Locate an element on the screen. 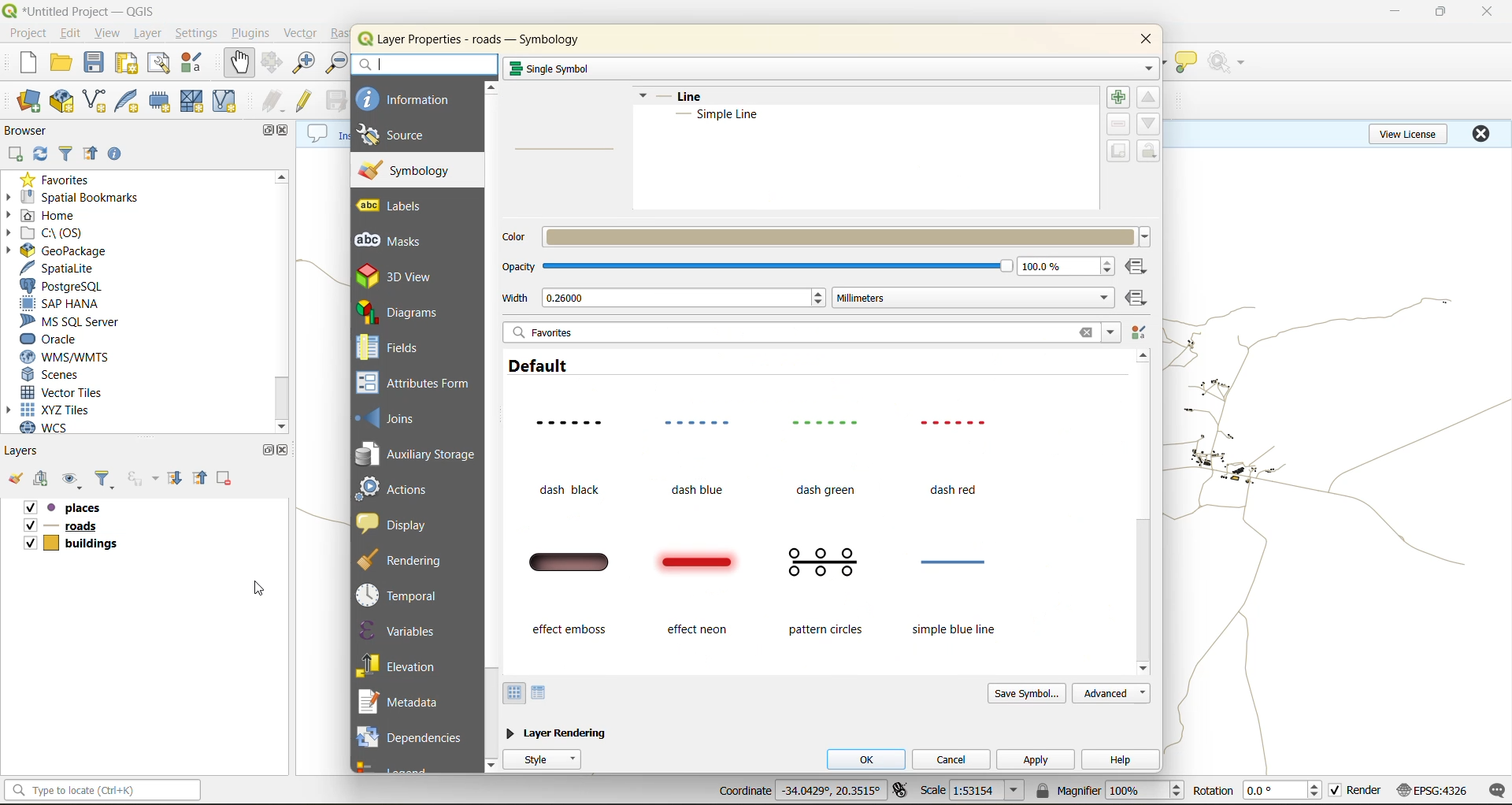  diagrams is located at coordinates (408, 313).